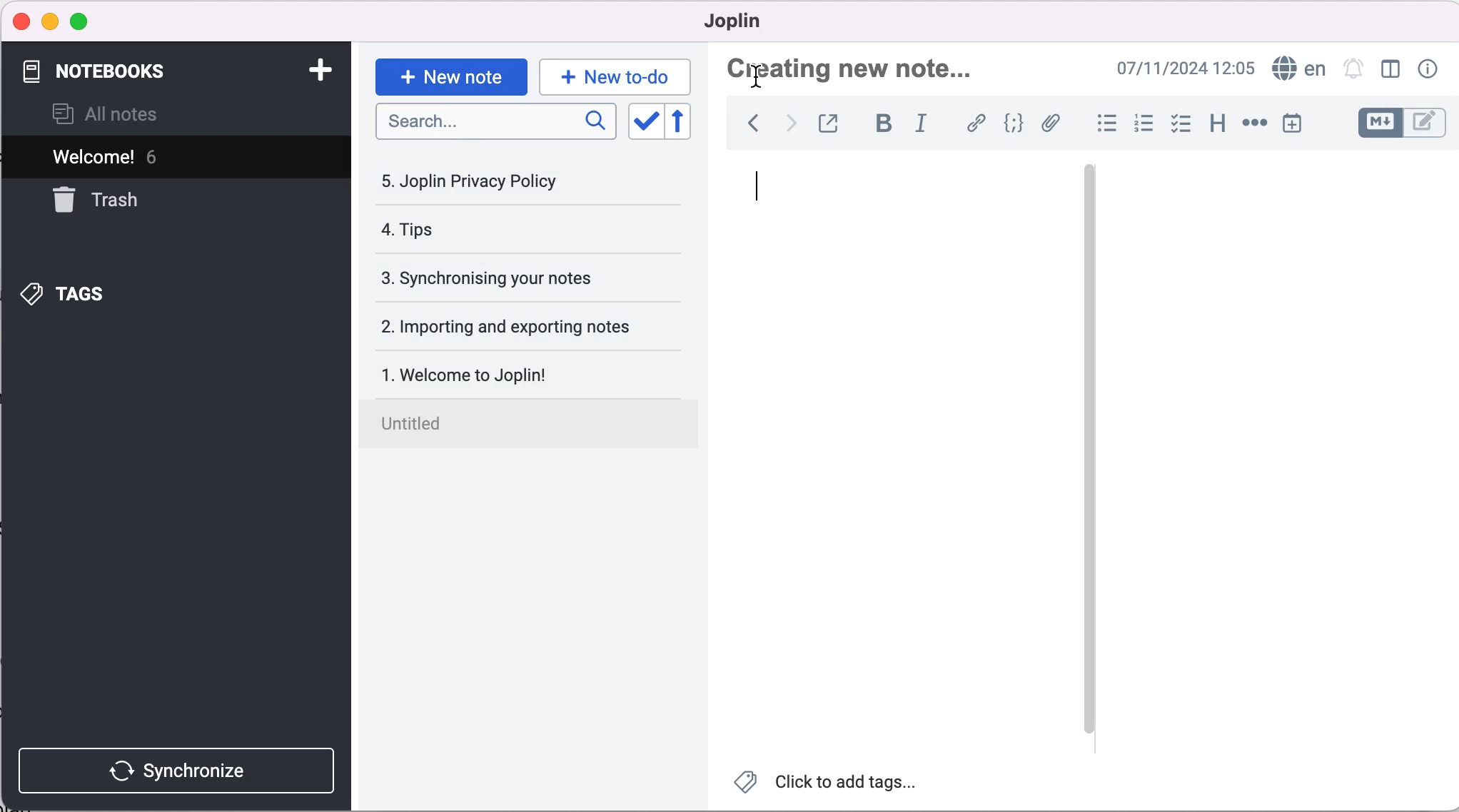 This screenshot has height=812, width=1459. What do you see at coordinates (479, 181) in the screenshot?
I see `joplin privacy policy` at bounding box center [479, 181].